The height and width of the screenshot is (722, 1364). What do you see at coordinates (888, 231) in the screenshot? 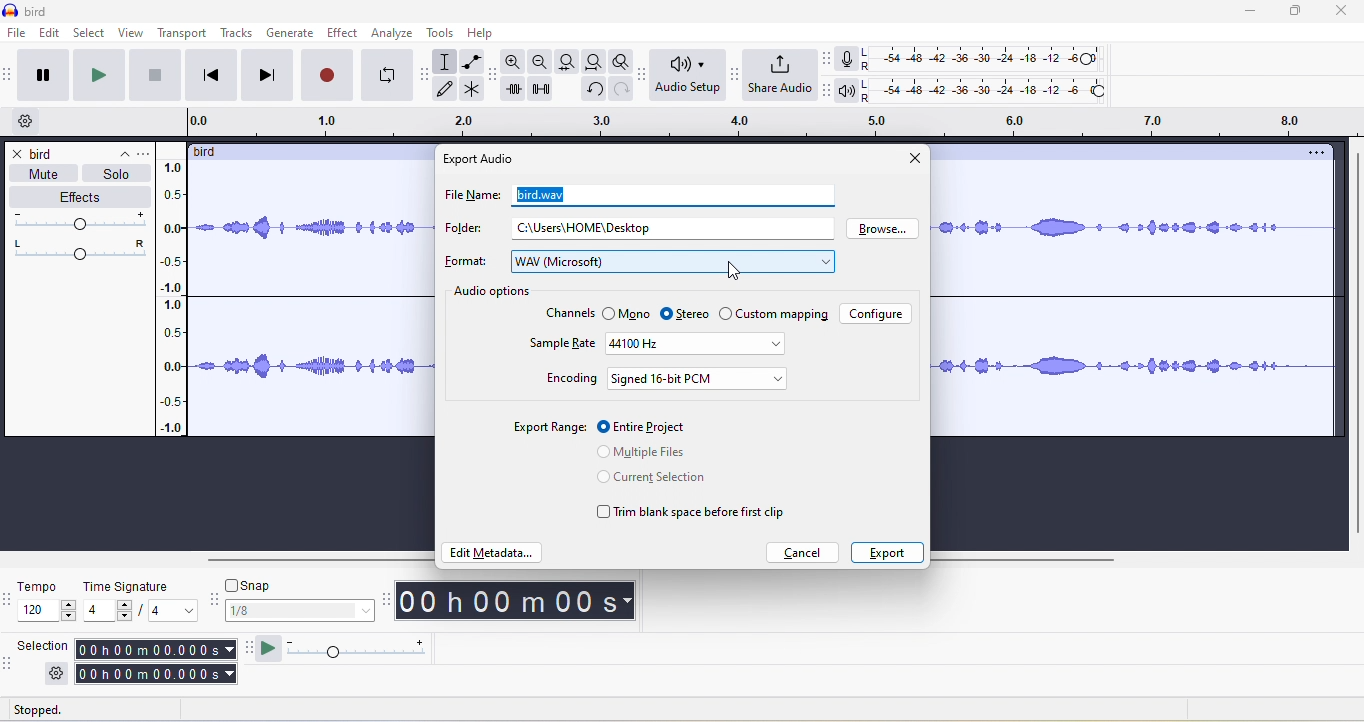
I see `browse` at bounding box center [888, 231].